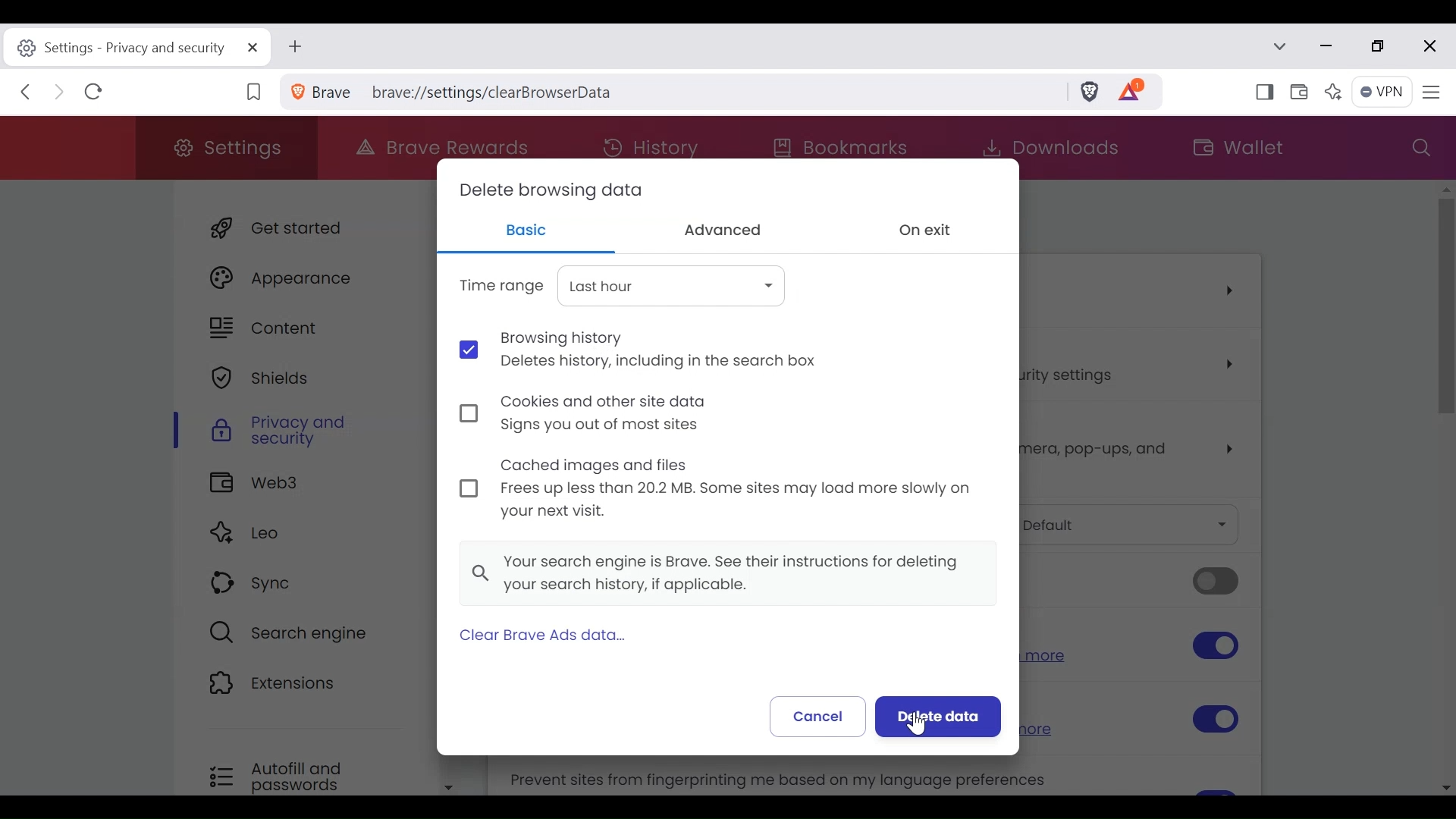  What do you see at coordinates (1446, 441) in the screenshot?
I see `Scroll bar` at bounding box center [1446, 441].